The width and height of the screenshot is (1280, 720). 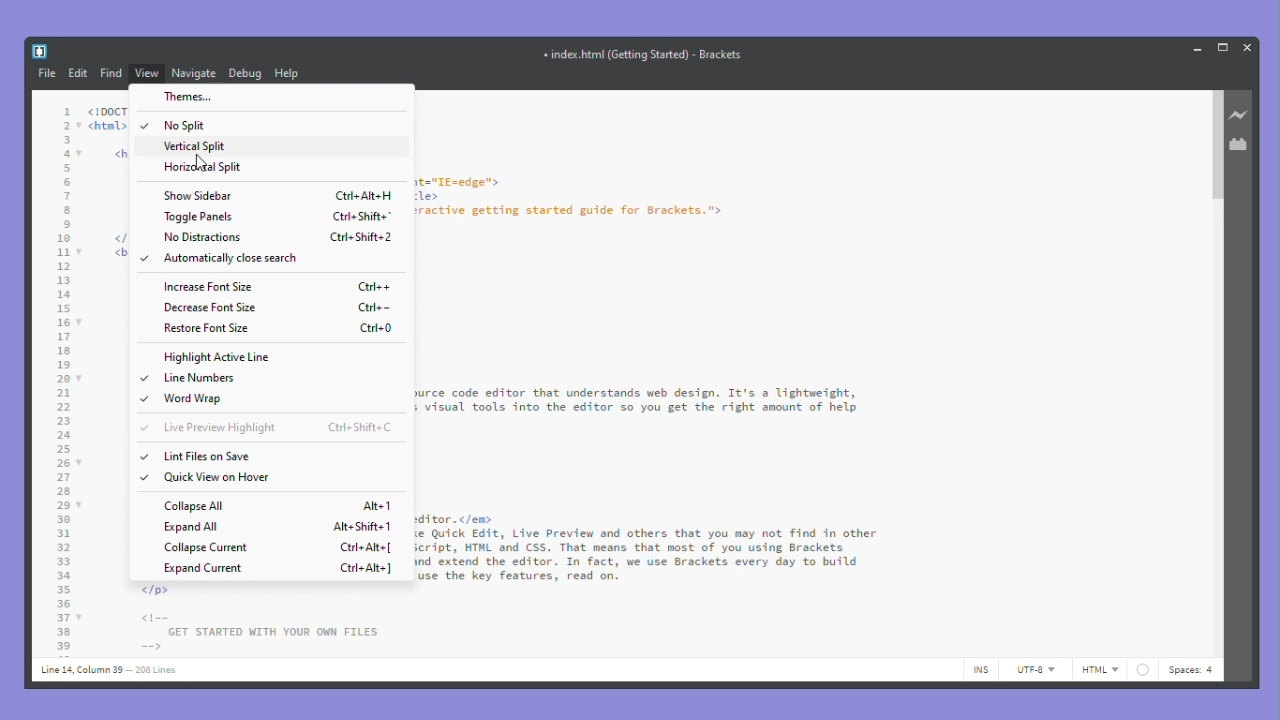 I want to click on <!-- GET STARTED WITH YOUR OWN FILES -->, so click(x=259, y=631).